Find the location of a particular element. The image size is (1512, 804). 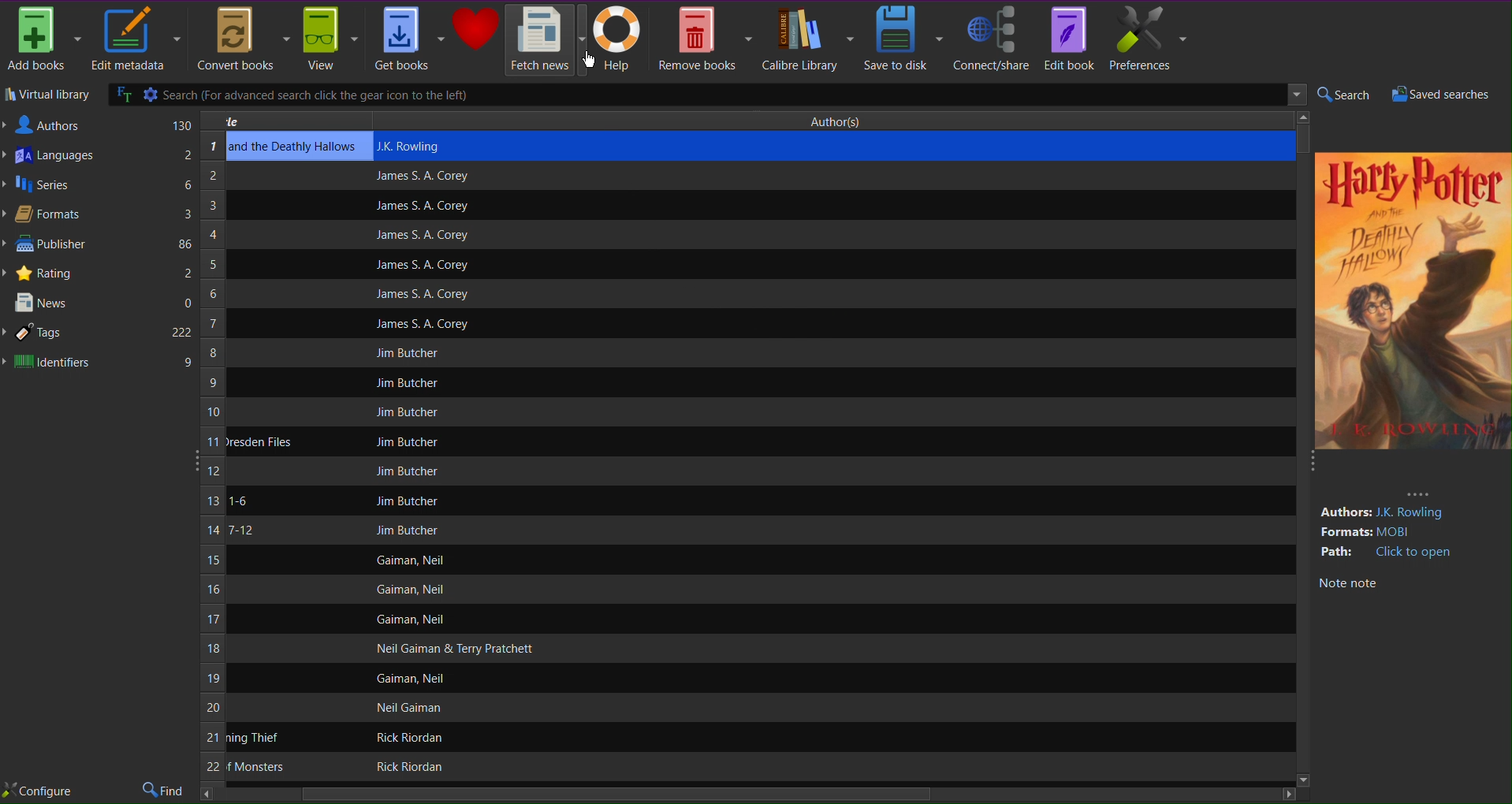

Calibre Library is located at coordinates (807, 38).